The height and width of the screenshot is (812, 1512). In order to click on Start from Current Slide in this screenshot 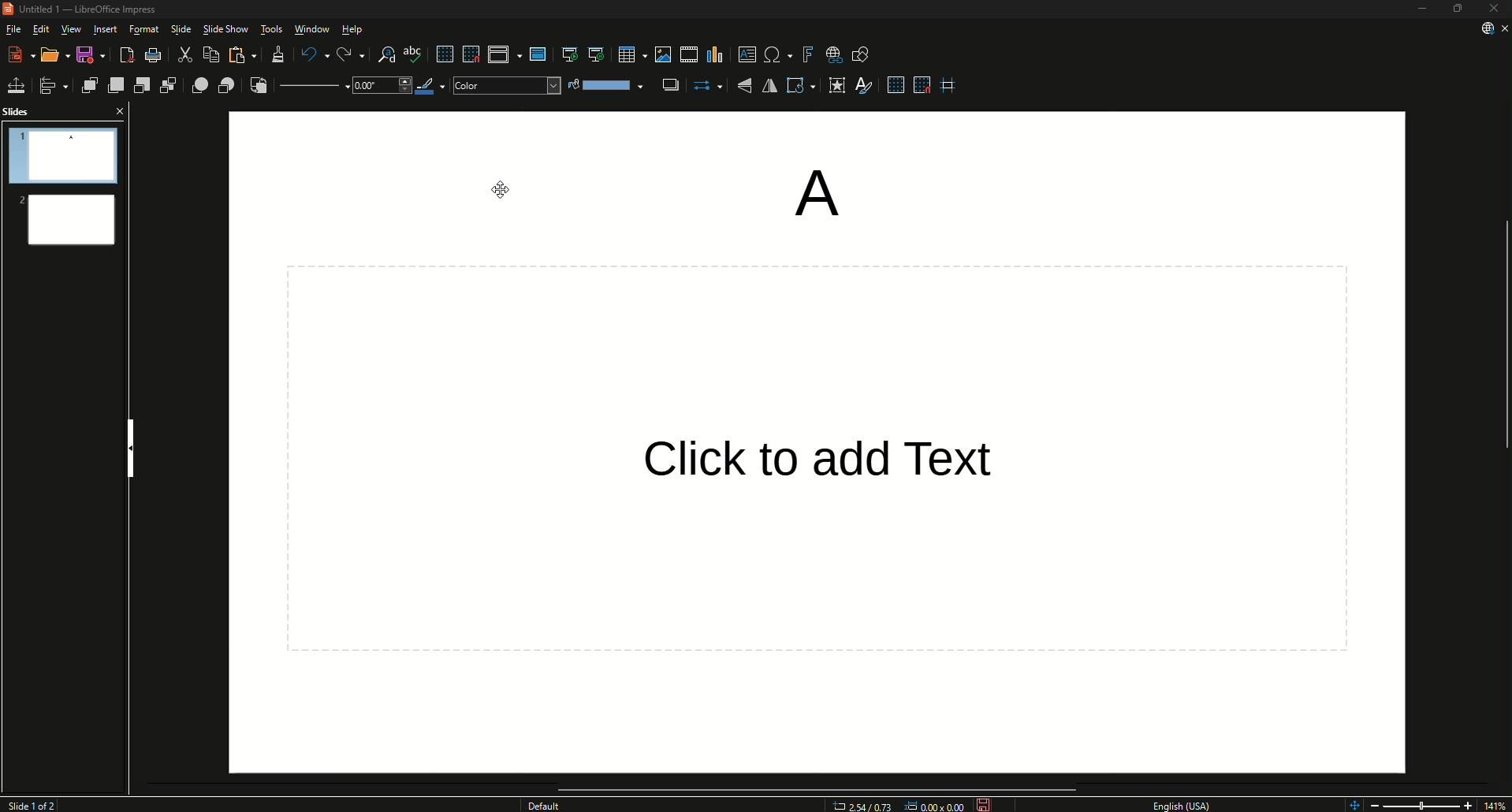, I will do `click(594, 53)`.